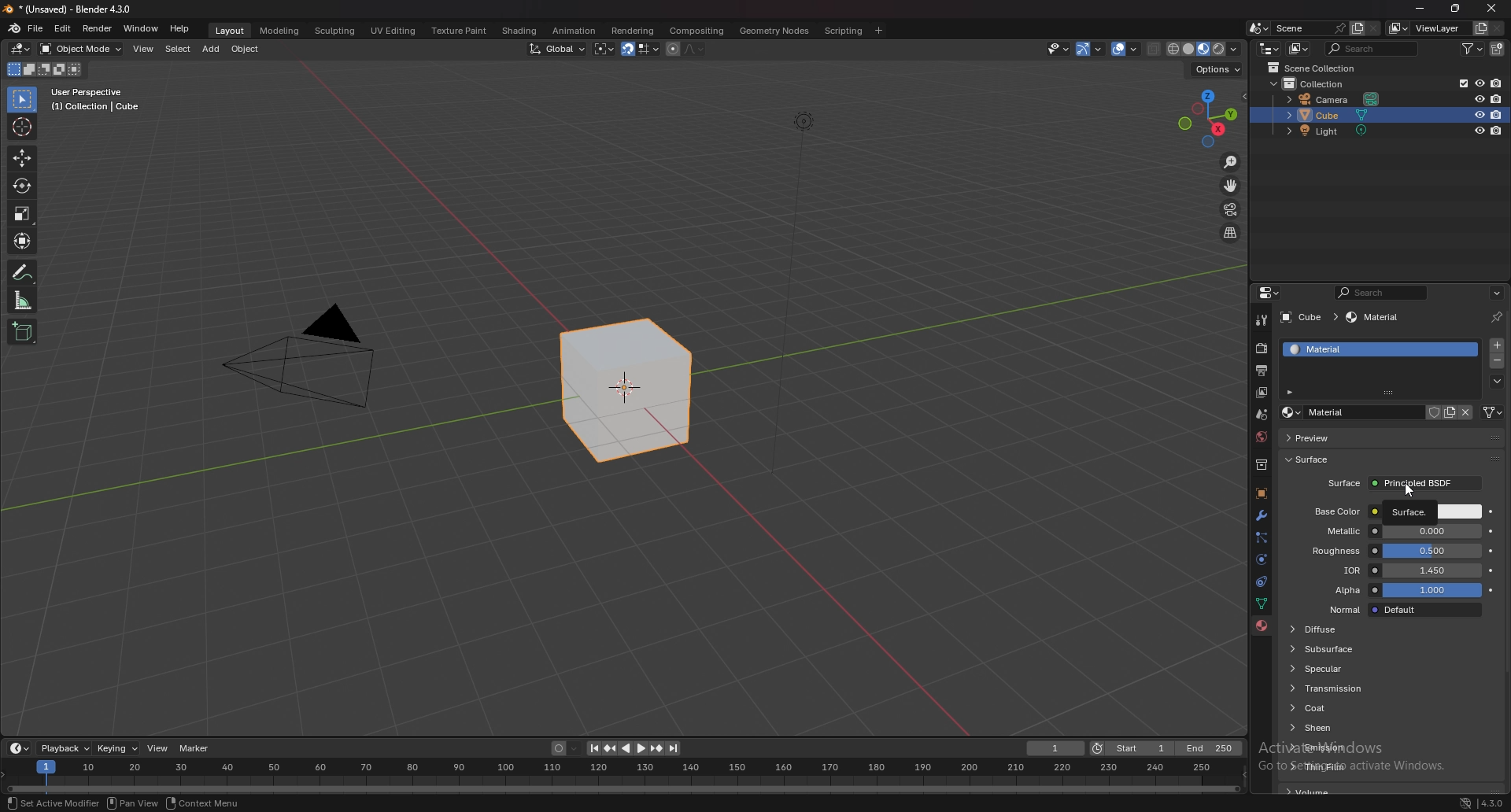 This screenshot has height=812, width=1511. I want to click on end 250, so click(1210, 748).